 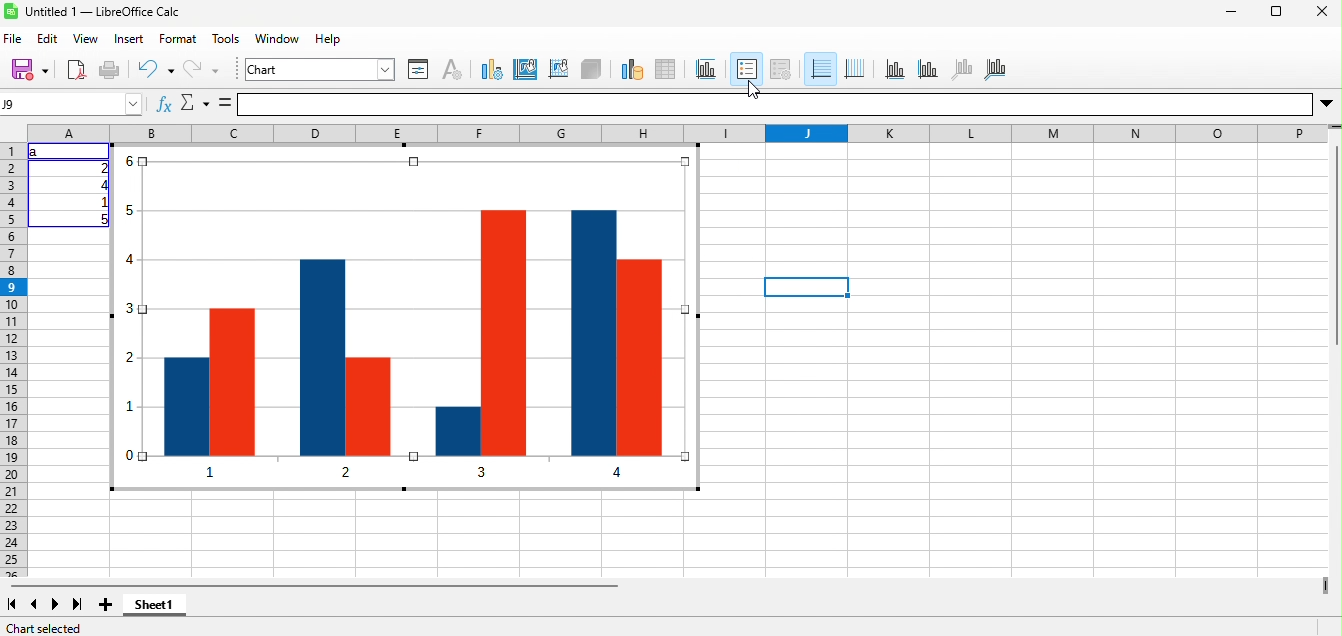 What do you see at coordinates (781, 70) in the screenshot?
I see `legend` at bounding box center [781, 70].